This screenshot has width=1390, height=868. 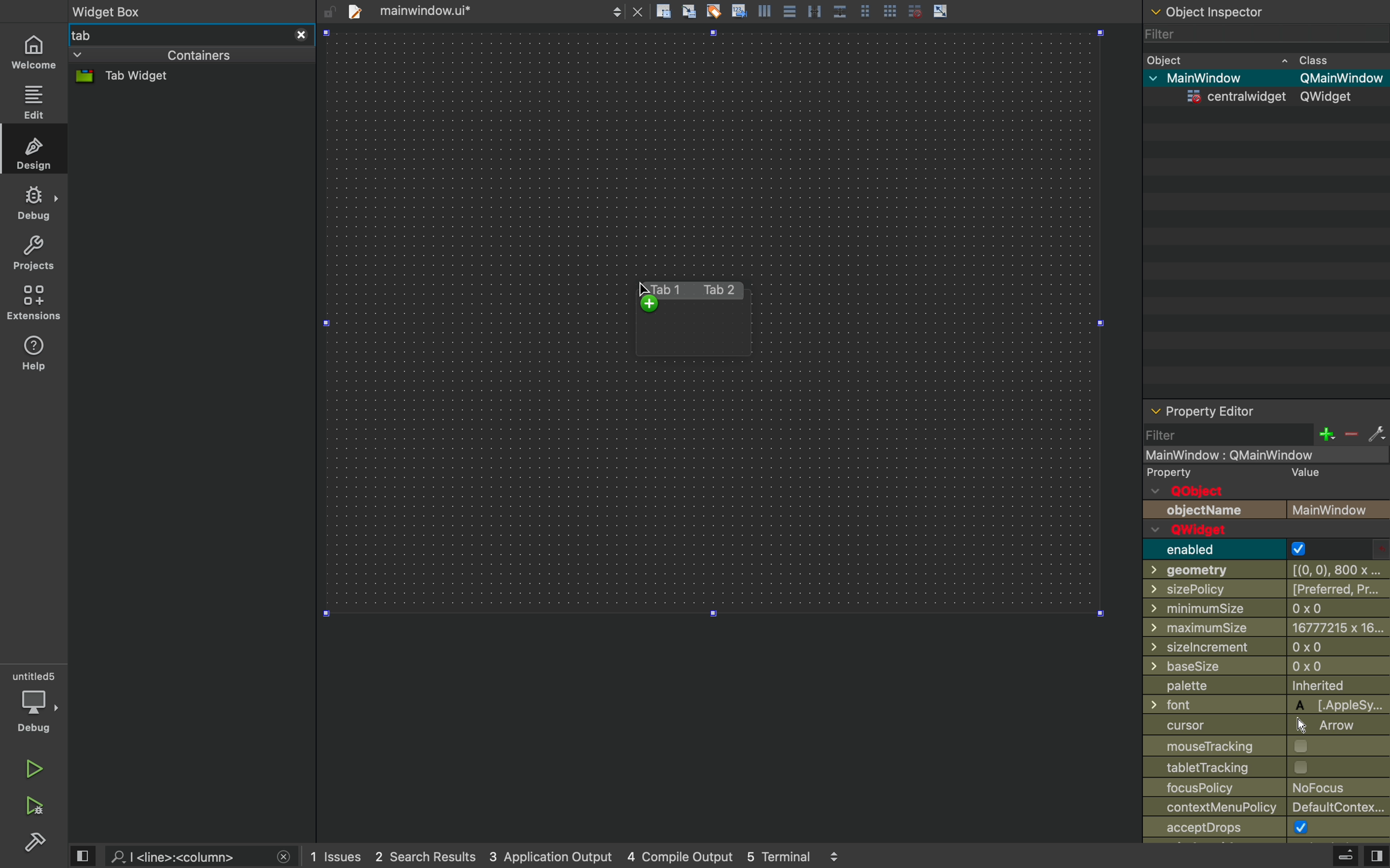 What do you see at coordinates (188, 855) in the screenshot?
I see `search` at bounding box center [188, 855].